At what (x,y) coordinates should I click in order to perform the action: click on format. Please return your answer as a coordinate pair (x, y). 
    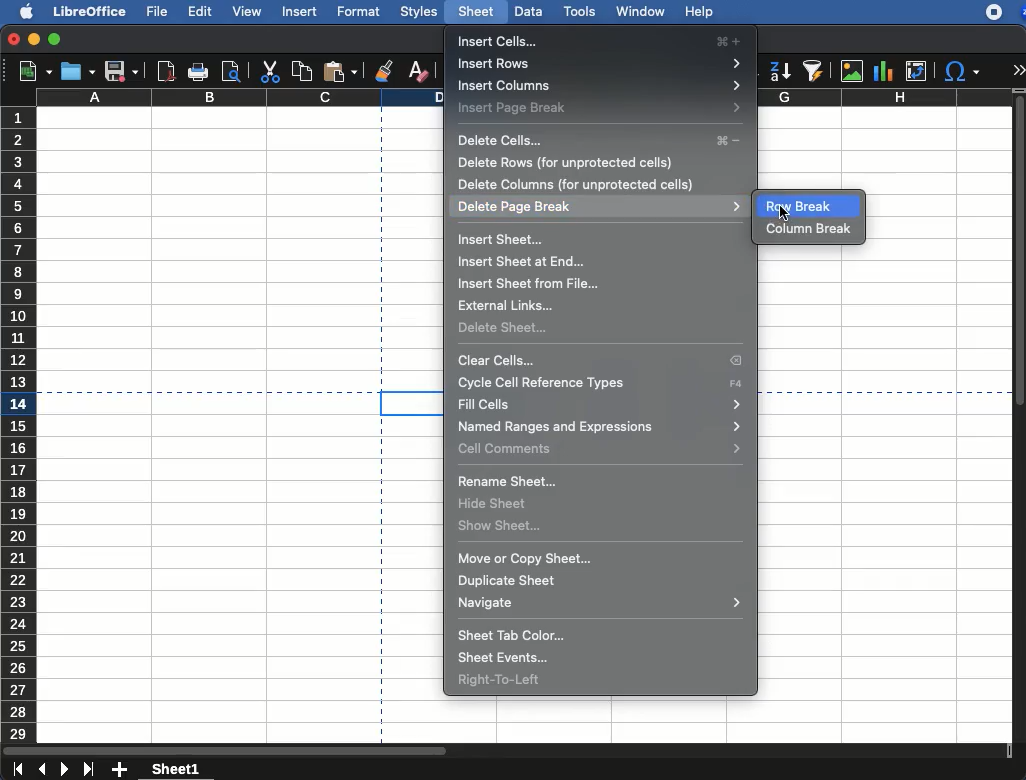
    Looking at the image, I should click on (358, 10).